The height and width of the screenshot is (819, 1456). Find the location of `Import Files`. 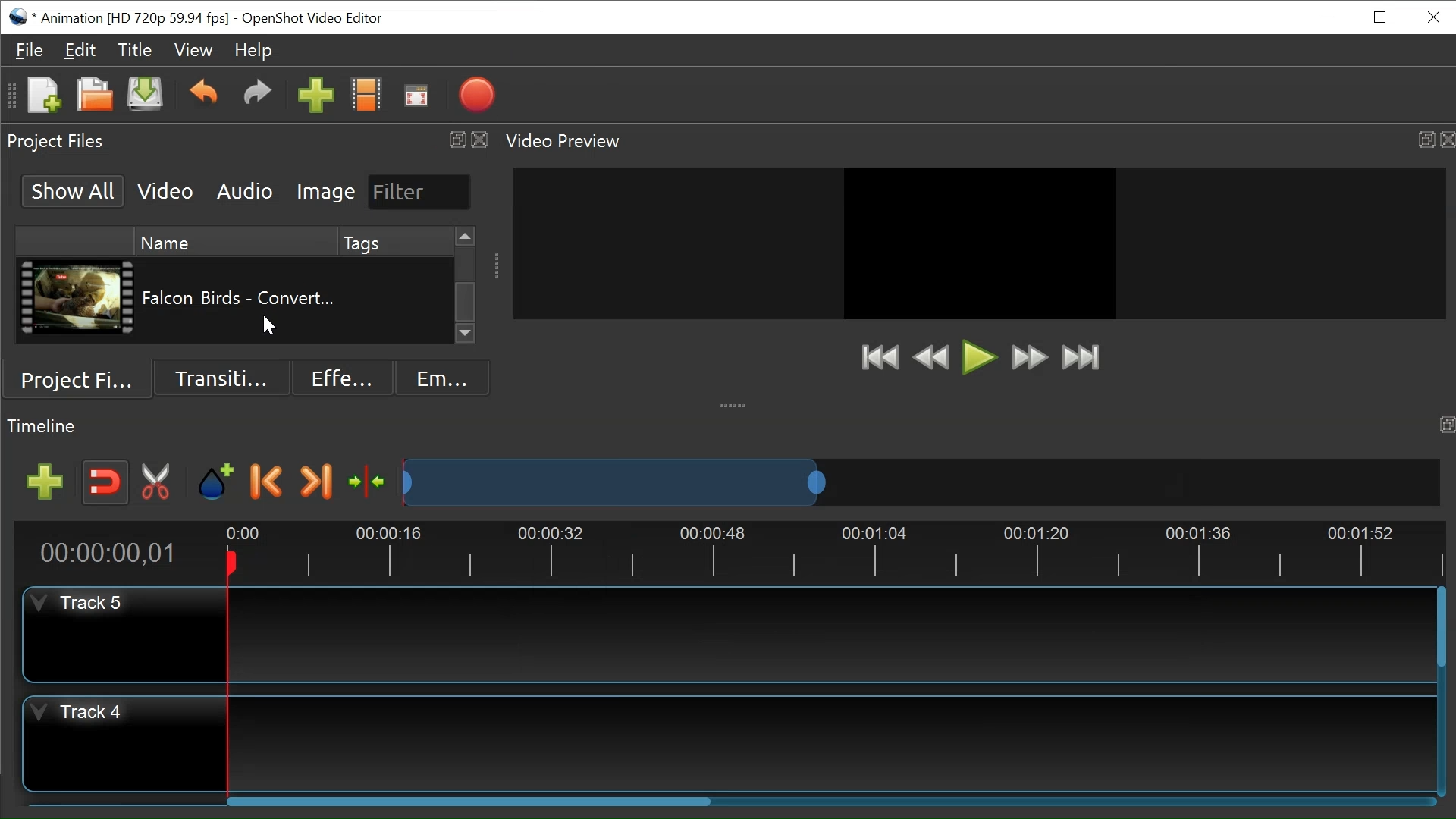

Import Files is located at coordinates (316, 96).